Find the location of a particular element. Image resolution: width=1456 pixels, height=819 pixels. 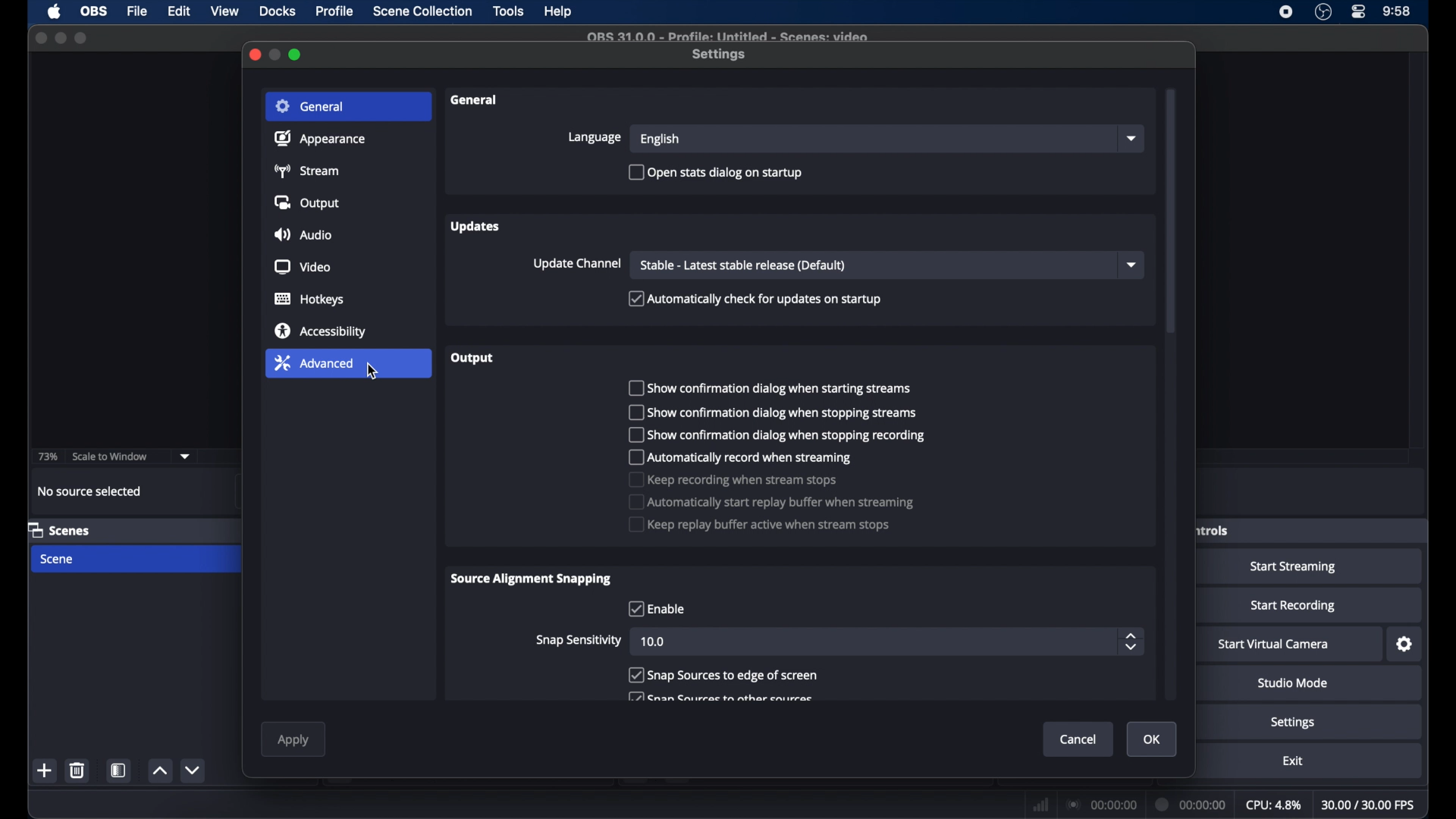

filename is located at coordinates (728, 37).